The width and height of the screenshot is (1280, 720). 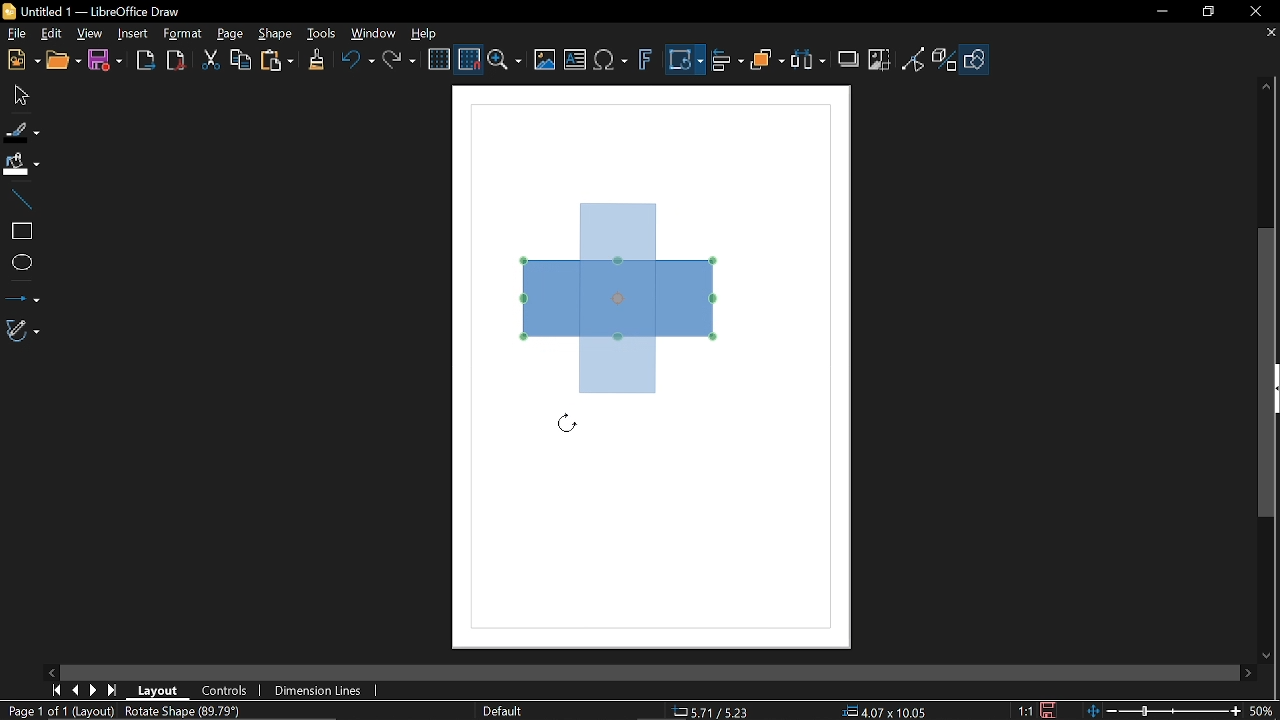 I want to click on slide master name, so click(x=504, y=710).